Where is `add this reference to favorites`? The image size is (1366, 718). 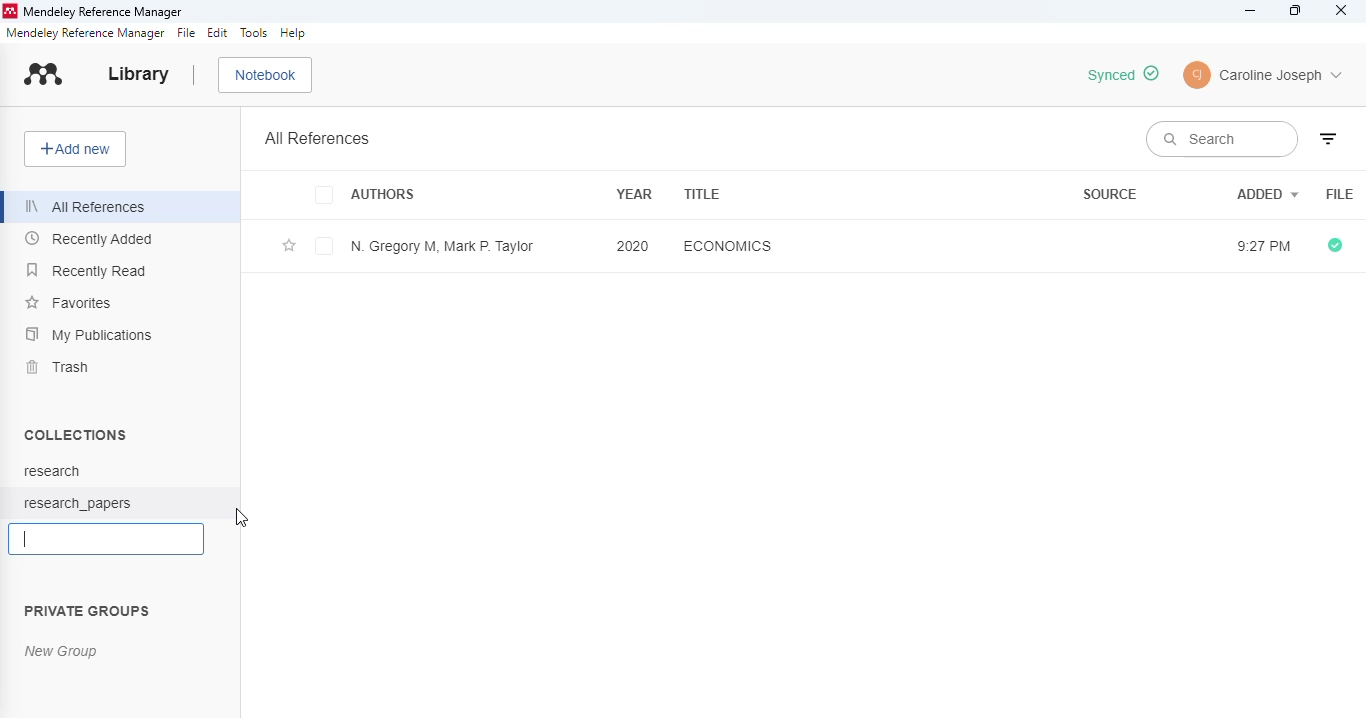 add this reference to favorites is located at coordinates (289, 247).